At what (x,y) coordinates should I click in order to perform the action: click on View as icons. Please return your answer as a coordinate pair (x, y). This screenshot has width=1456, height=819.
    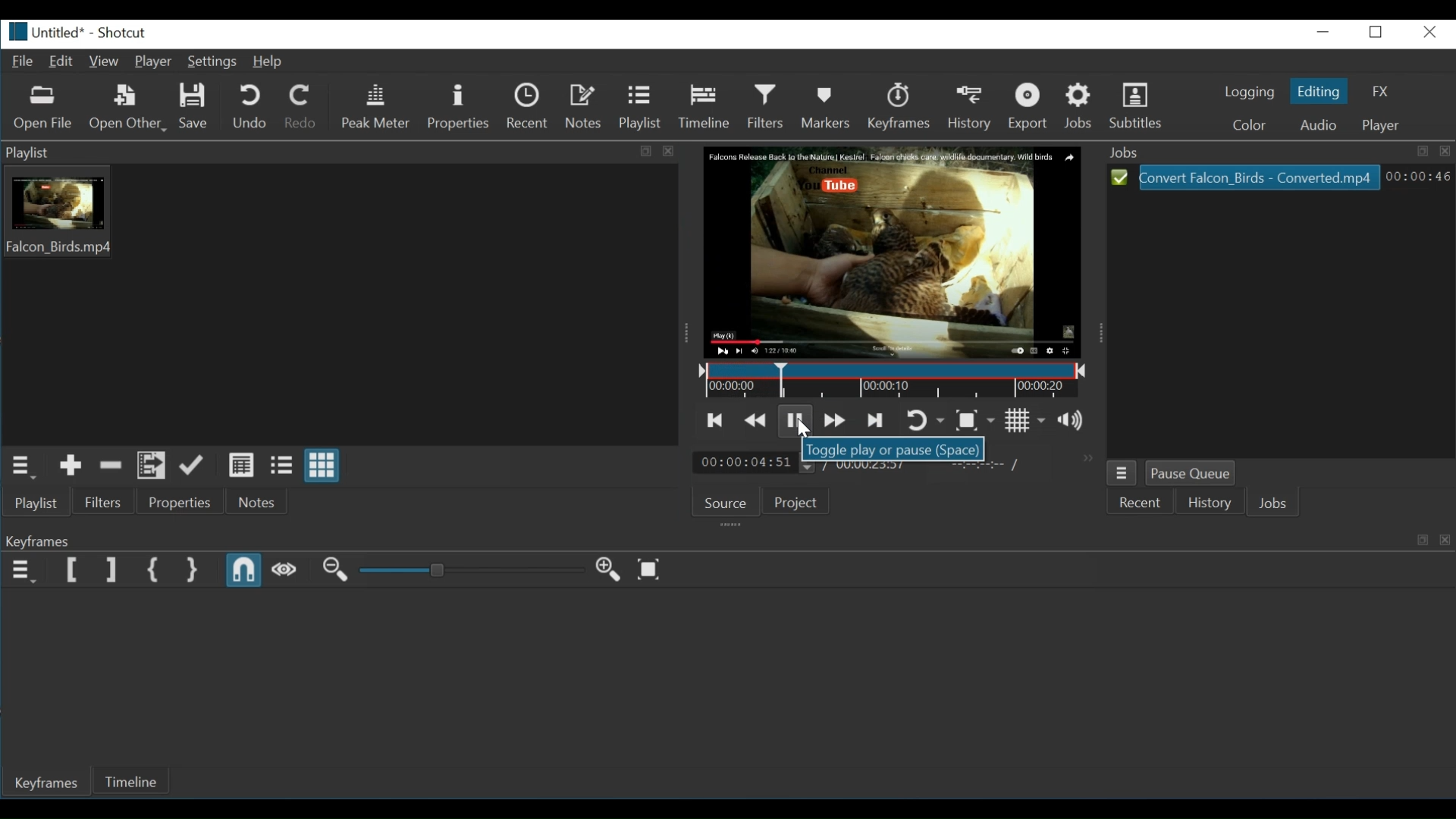
    Looking at the image, I should click on (322, 466).